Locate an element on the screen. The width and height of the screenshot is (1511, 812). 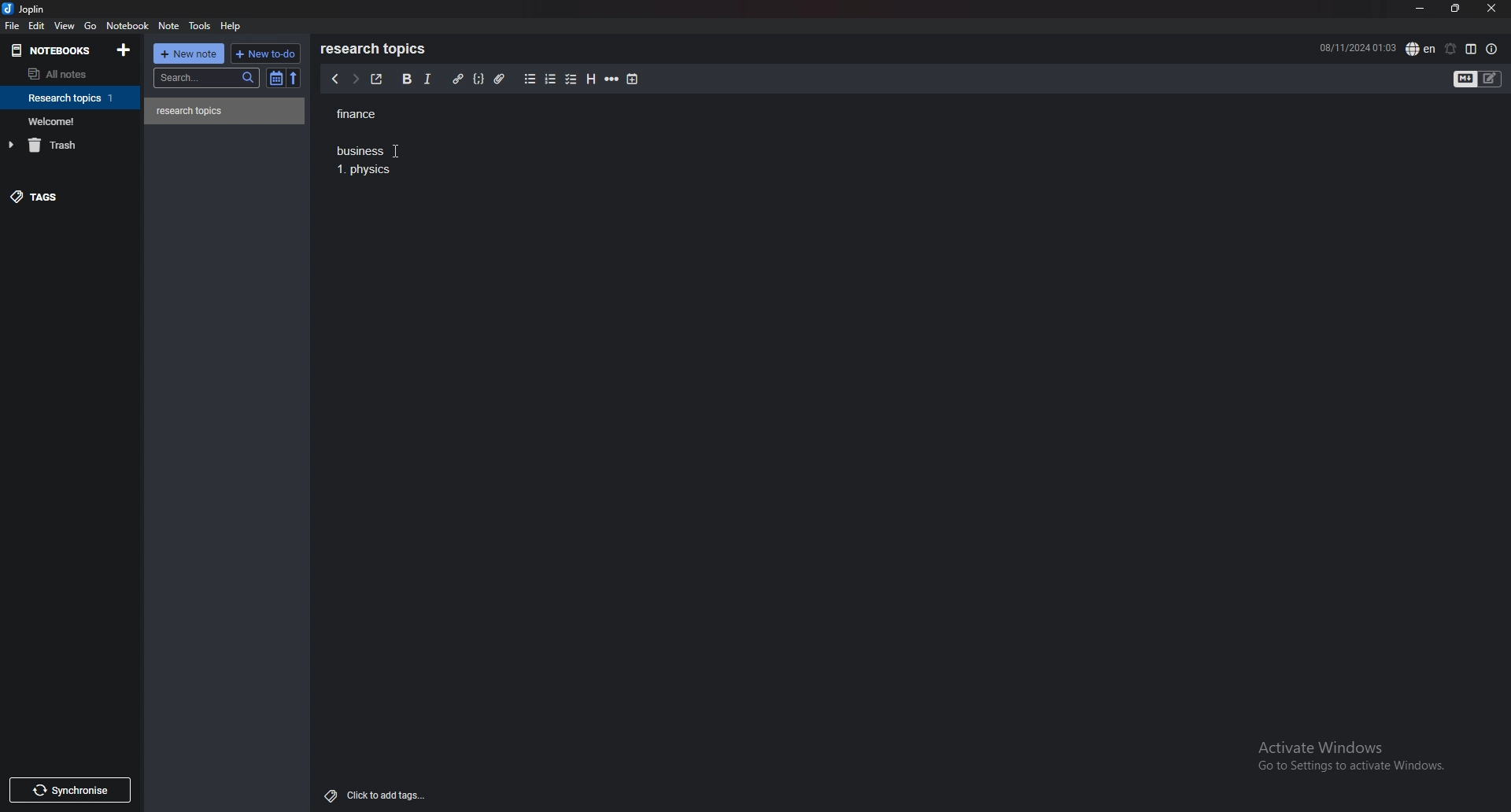
all notes is located at coordinates (65, 75).